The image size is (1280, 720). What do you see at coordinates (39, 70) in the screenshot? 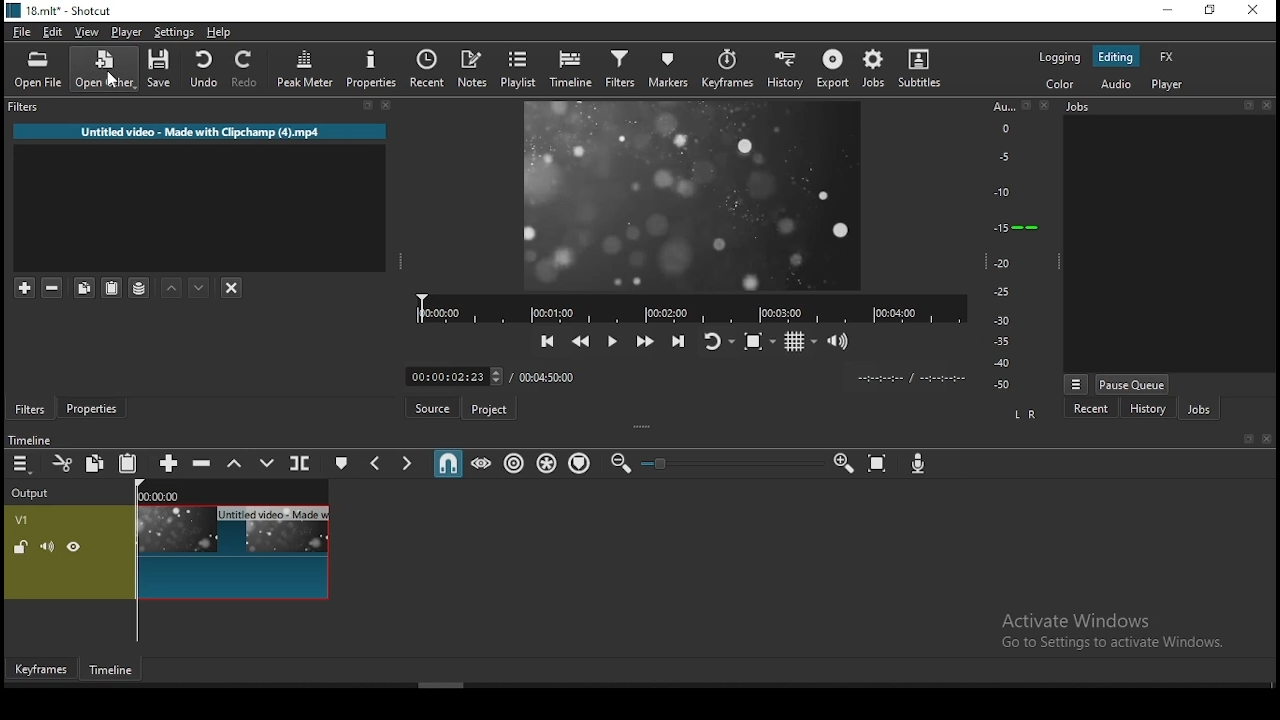
I see `open file` at bounding box center [39, 70].